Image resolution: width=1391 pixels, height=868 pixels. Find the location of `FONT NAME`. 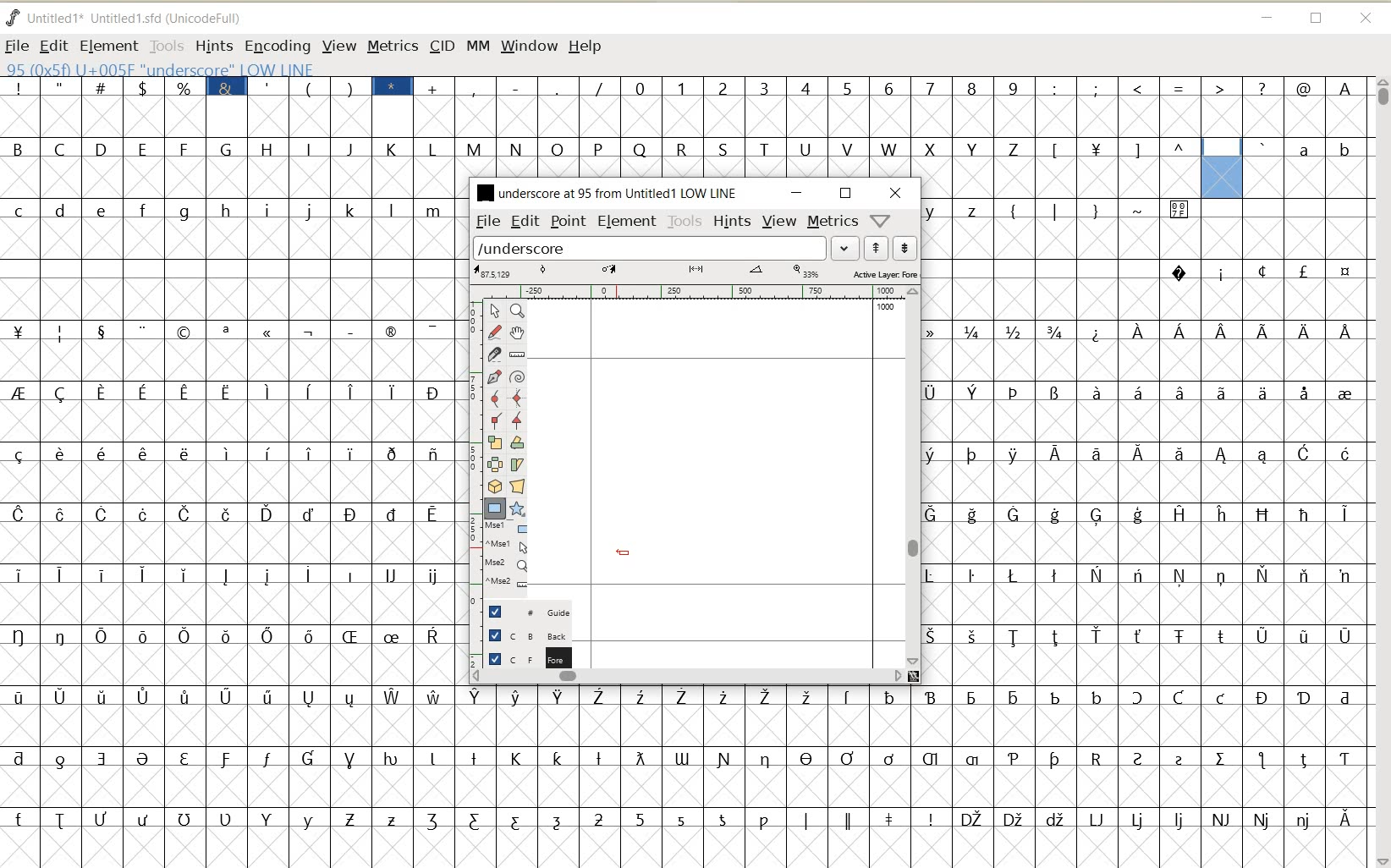

FONT NAME is located at coordinates (608, 192).